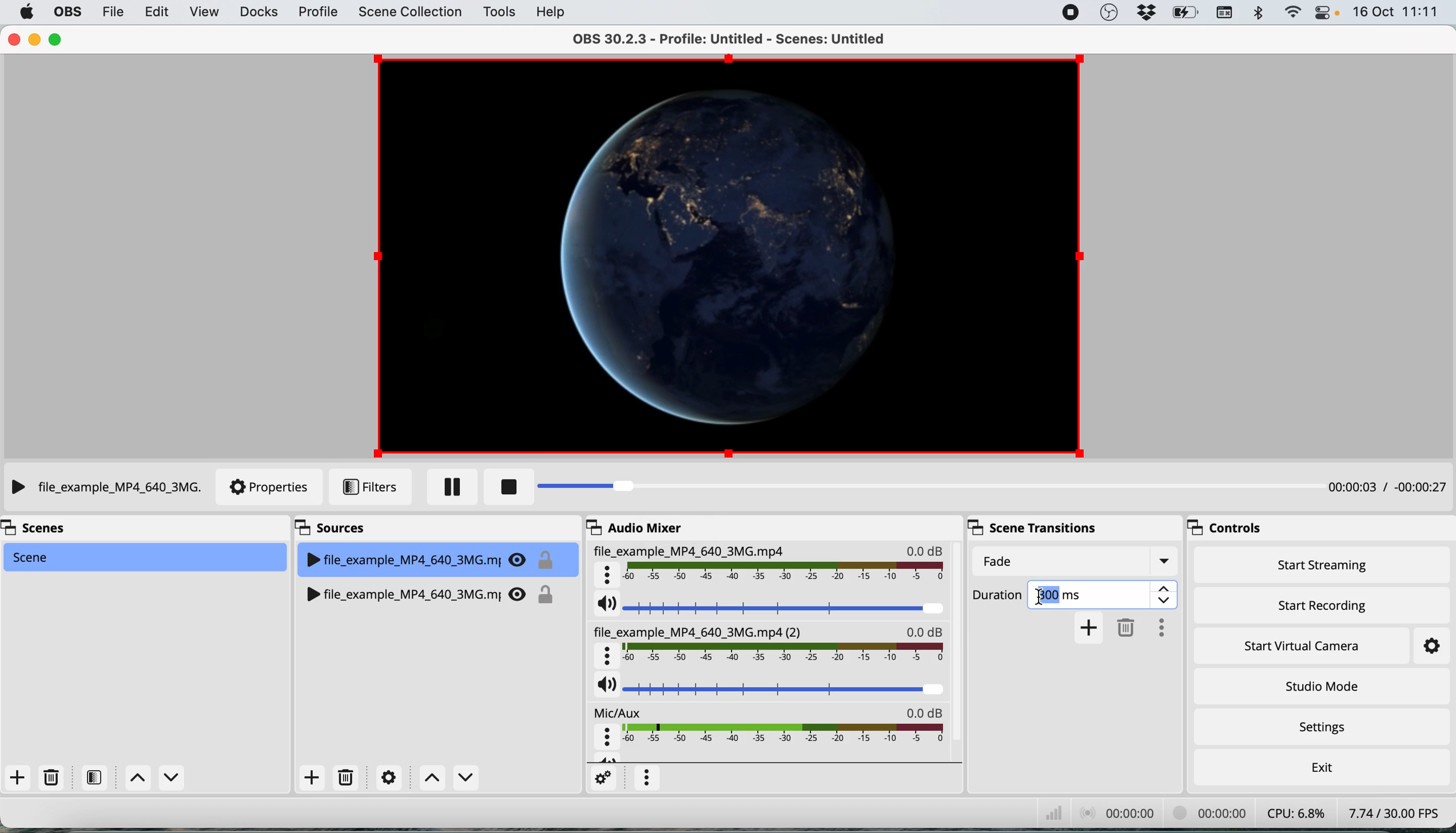 Image resolution: width=1456 pixels, height=833 pixels. Describe the element at coordinates (310, 778) in the screenshot. I see `add source` at that location.